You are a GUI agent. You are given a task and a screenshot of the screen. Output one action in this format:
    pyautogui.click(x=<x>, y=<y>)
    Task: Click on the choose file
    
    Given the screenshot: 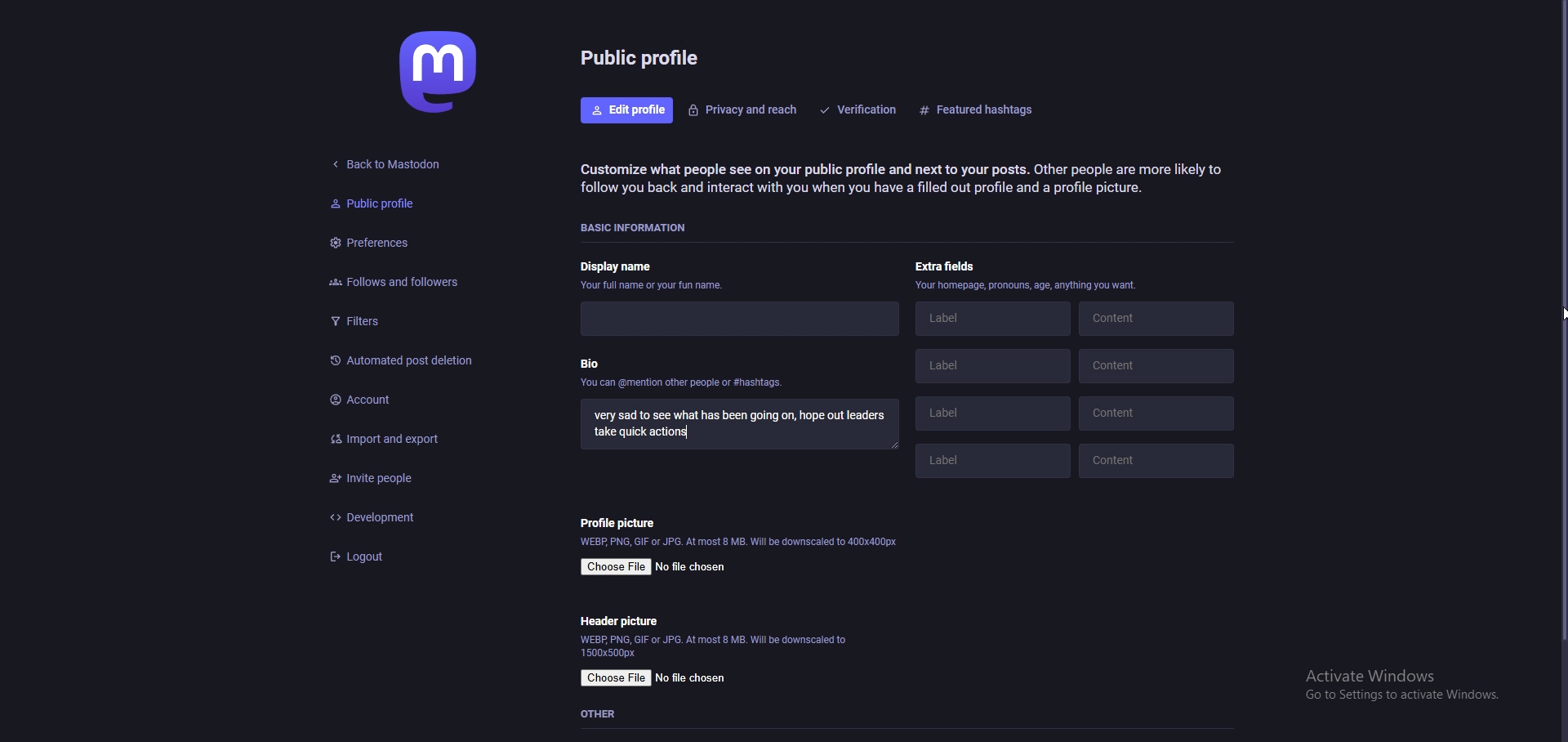 What is the action you would take?
    pyautogui.click(x=617, y=567)
    